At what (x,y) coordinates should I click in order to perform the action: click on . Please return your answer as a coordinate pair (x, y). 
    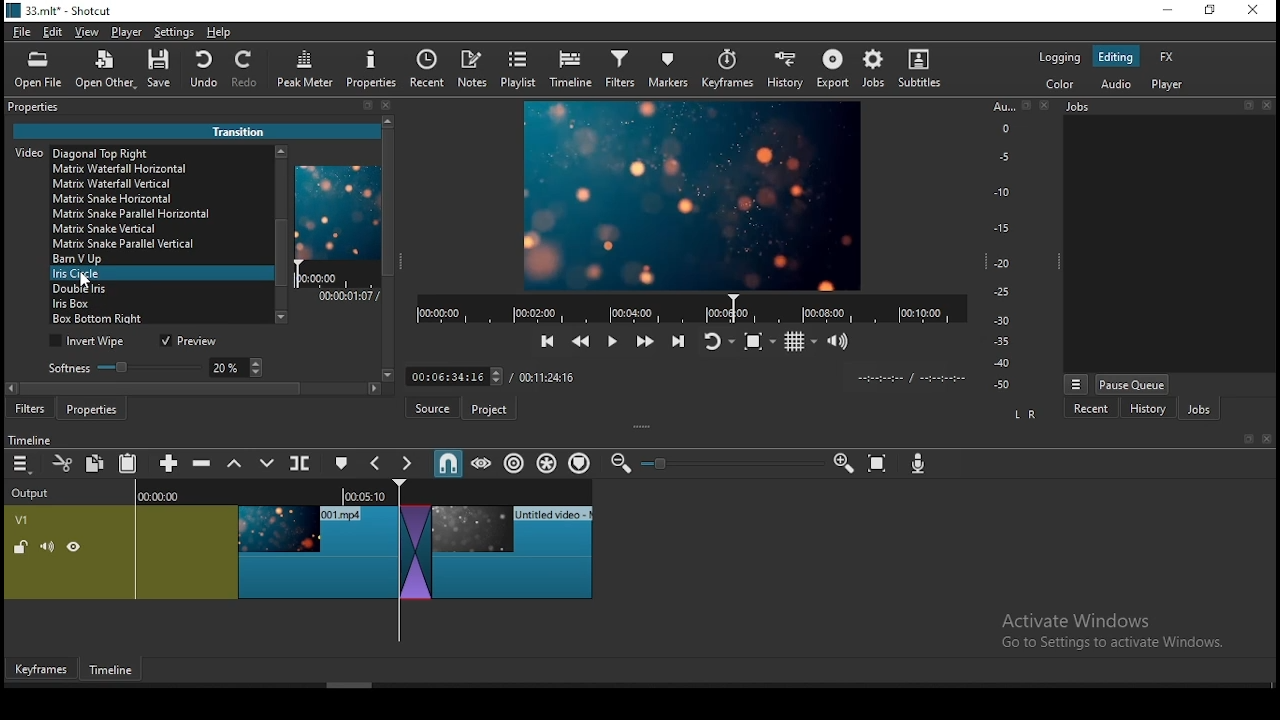
    Looking at the image, I should click on (1043, 106).